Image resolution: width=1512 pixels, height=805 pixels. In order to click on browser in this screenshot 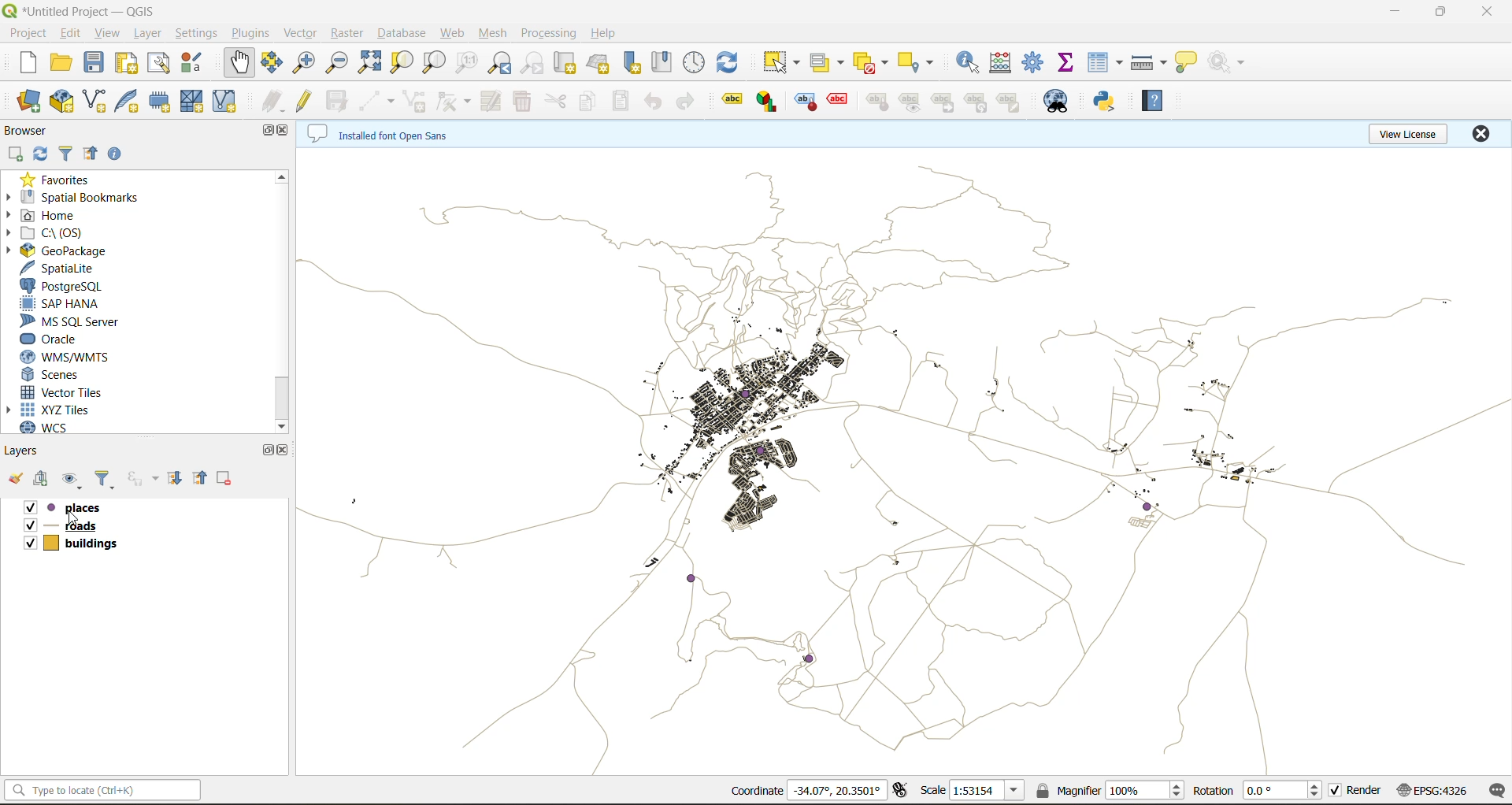, I will do `click(38, 132)`.